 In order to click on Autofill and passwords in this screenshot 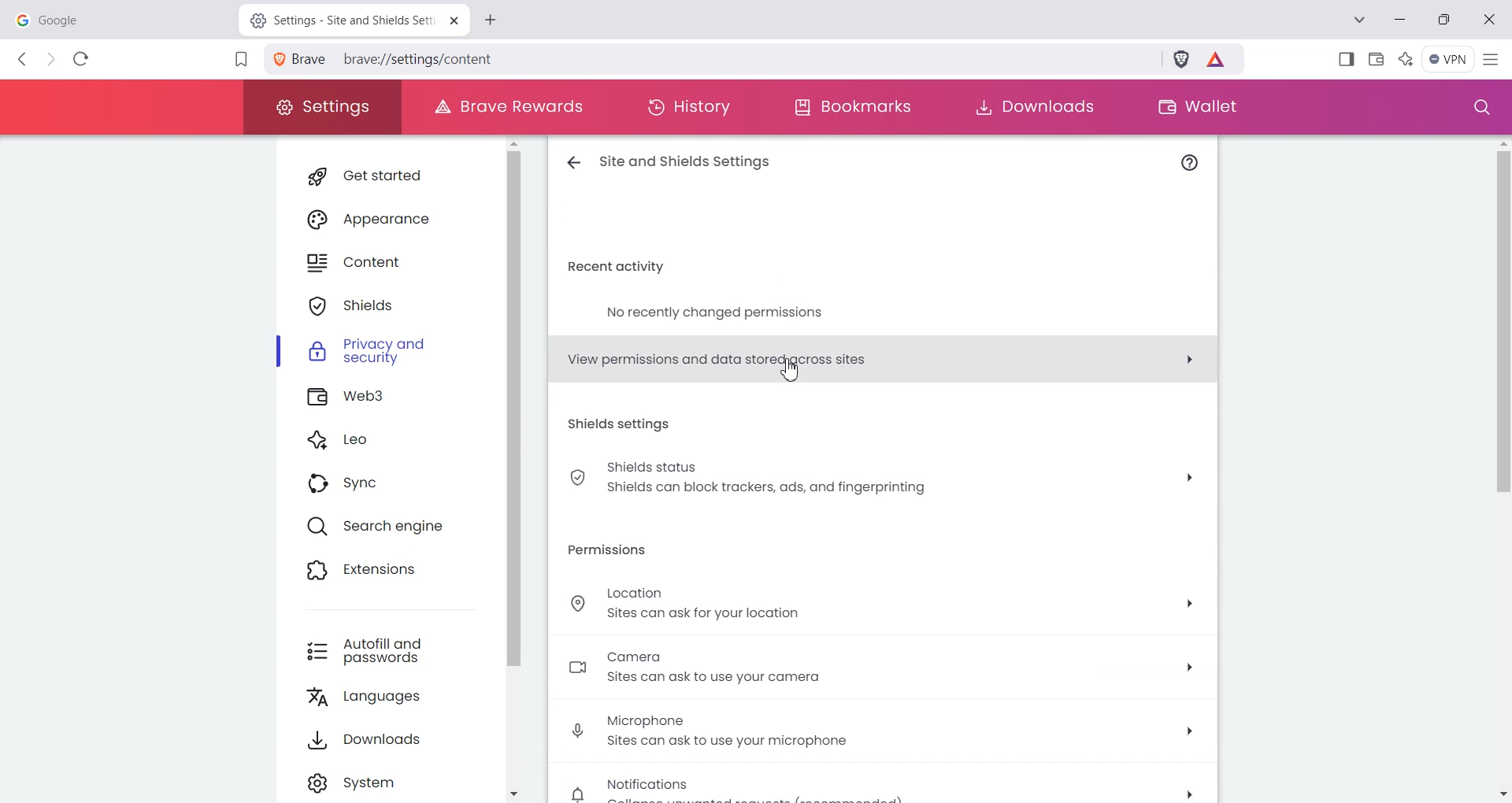, I will do `click(394, 651)`.